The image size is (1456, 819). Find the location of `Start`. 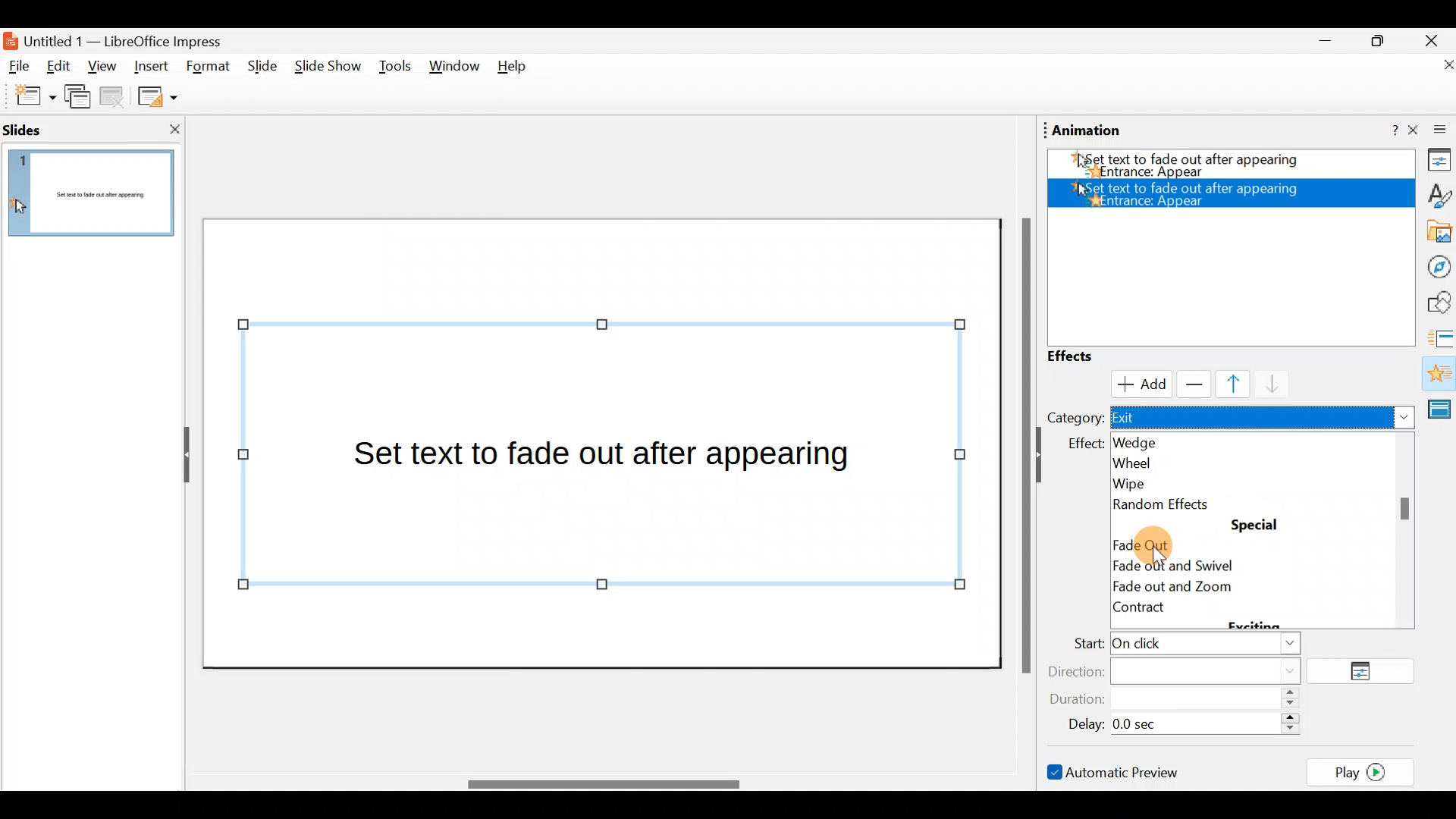

Start is located at coordinates (1182, 645).